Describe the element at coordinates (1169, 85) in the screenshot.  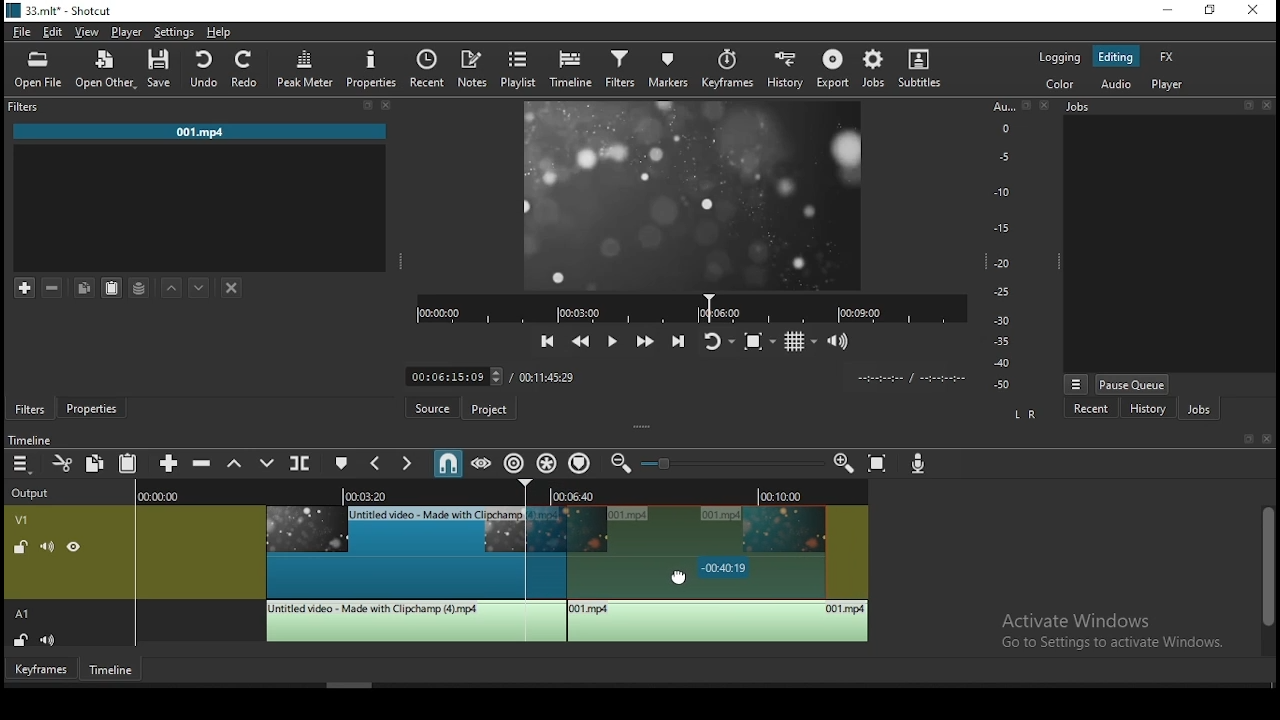
I see `player` at that location.